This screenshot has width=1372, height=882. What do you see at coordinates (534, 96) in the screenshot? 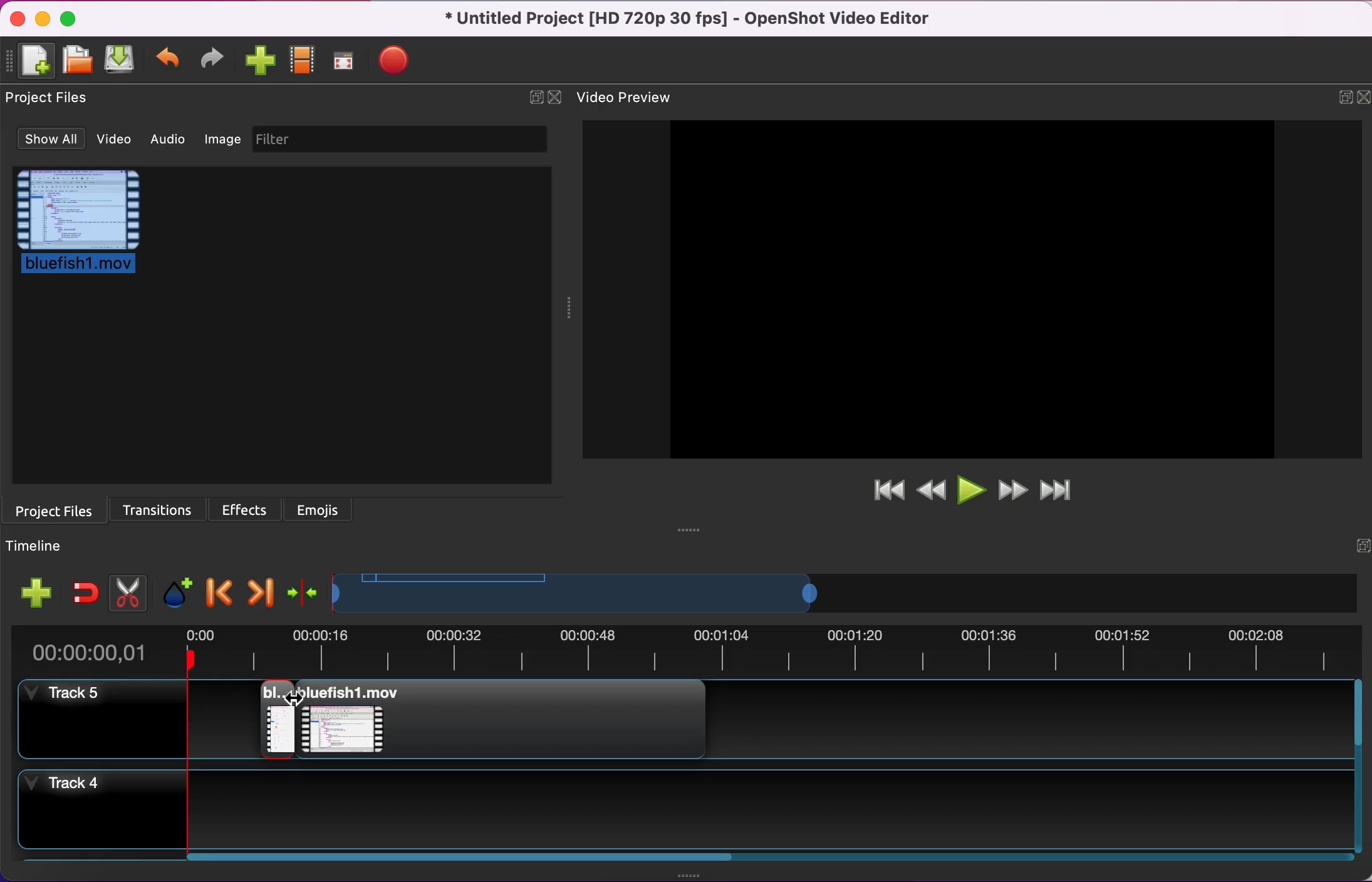
I see `expand/hide` at bounding box center [534, 96].